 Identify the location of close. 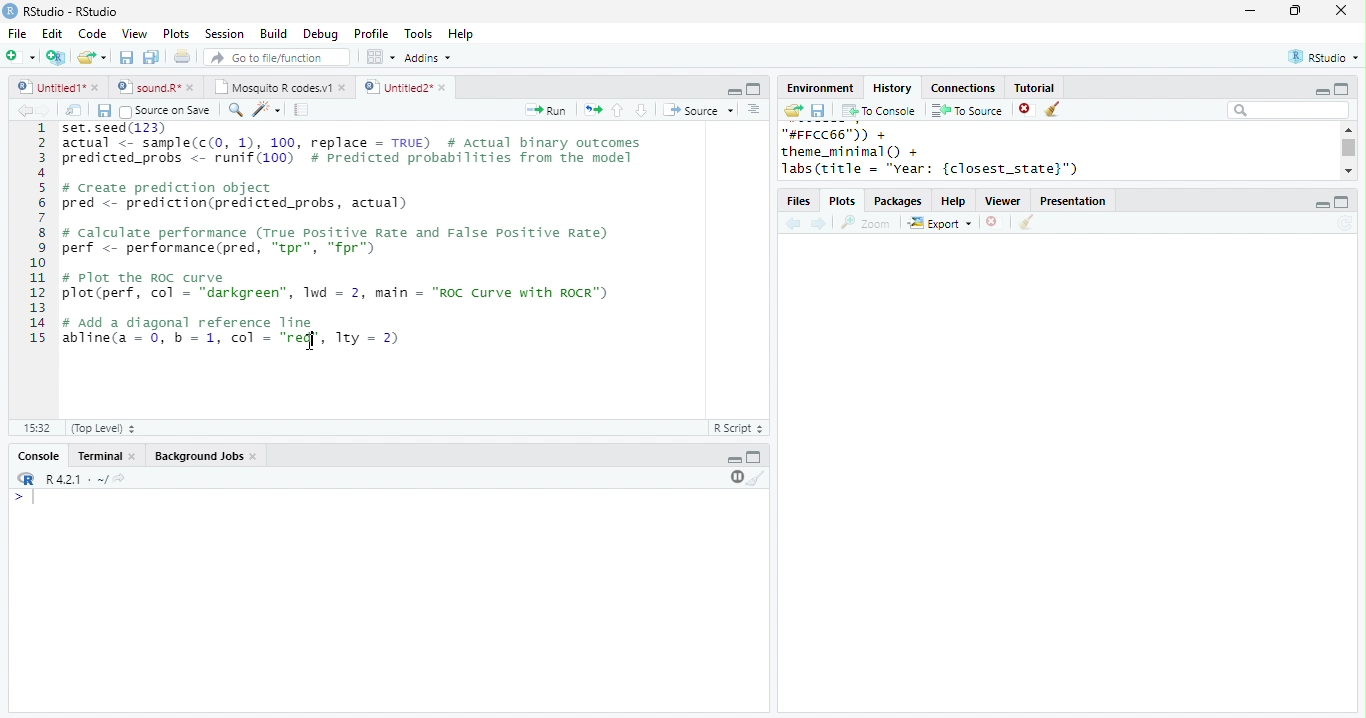
(134, 457).